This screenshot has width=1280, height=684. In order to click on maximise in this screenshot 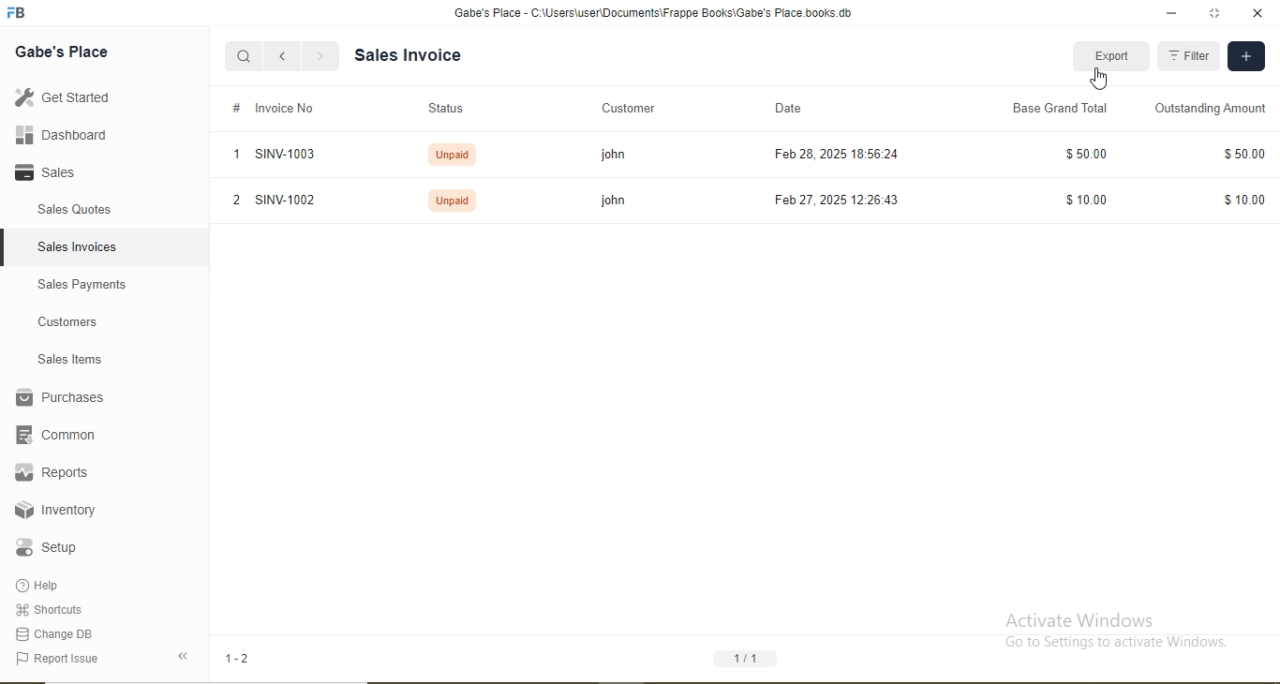, I will do `click(1217, 11)`.